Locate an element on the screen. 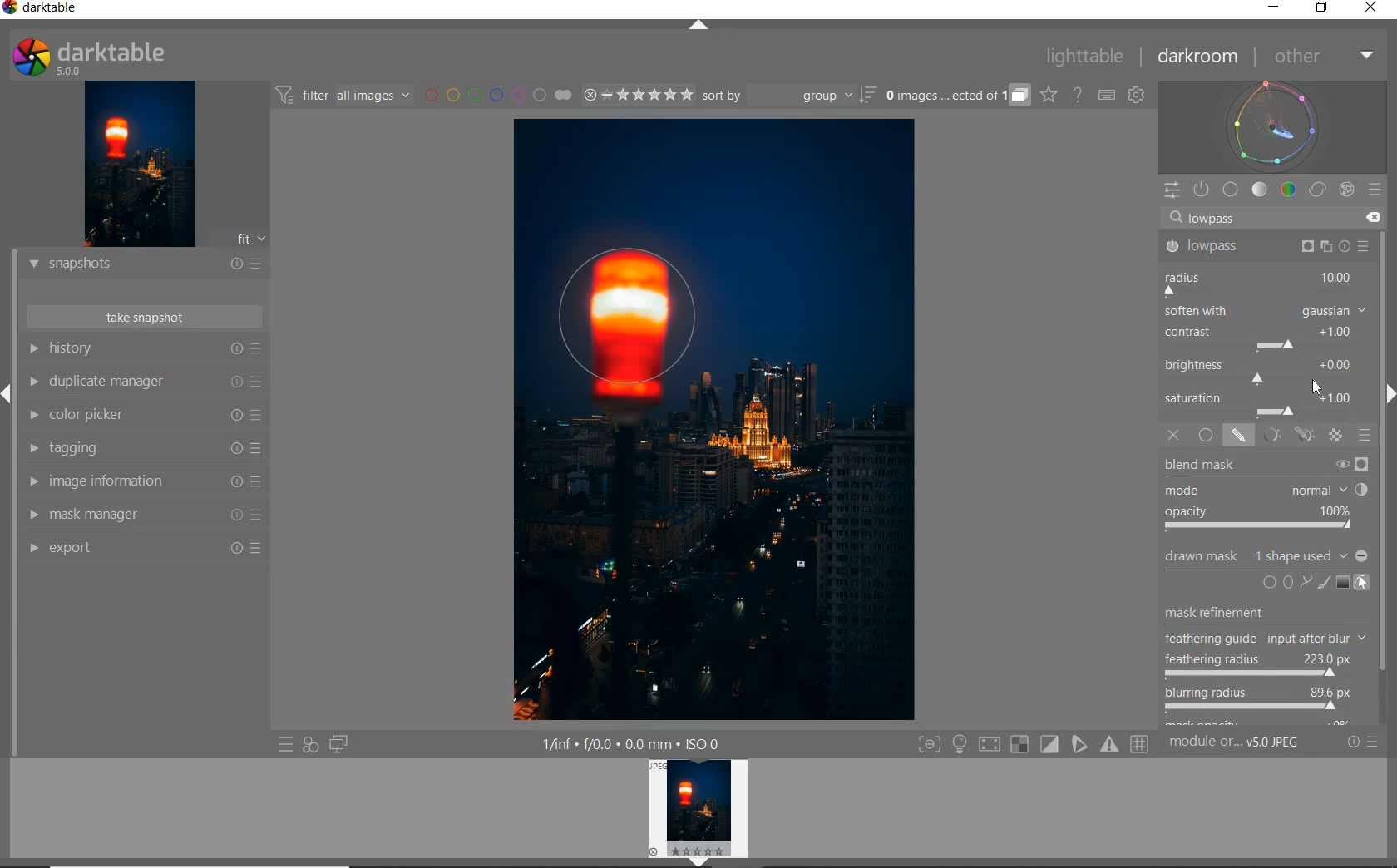 Image resolution: width=1397 pixels, height=868 pixels. HISTORY is located at coordinates (143, 350).